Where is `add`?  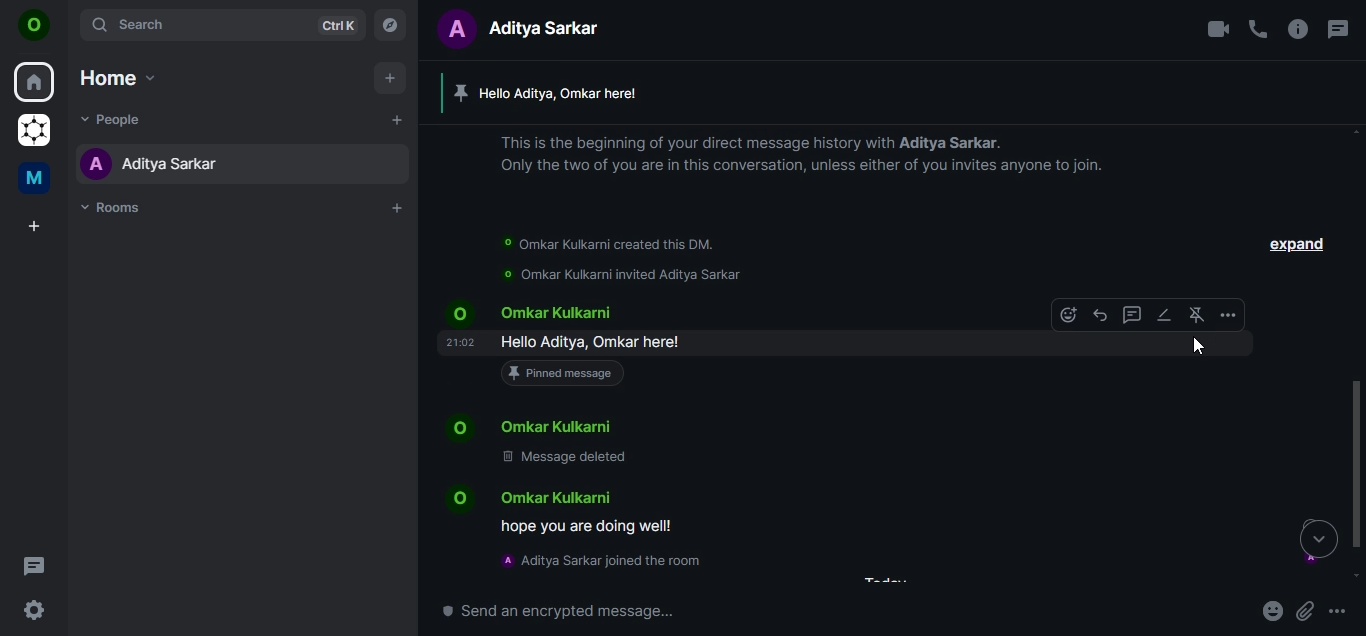
add is located at coordinates (388, 79).